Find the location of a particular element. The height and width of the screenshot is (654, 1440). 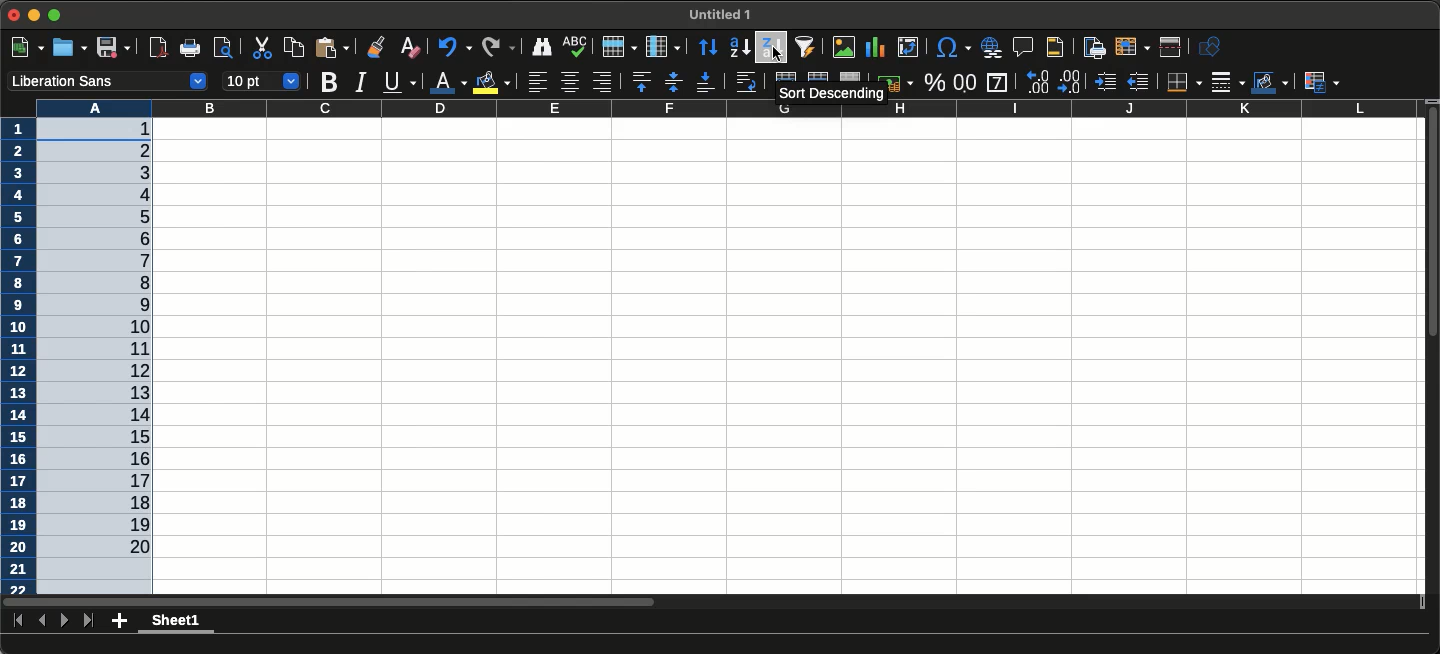

Insert or edit pivot table is located at coordinates (908, 47).